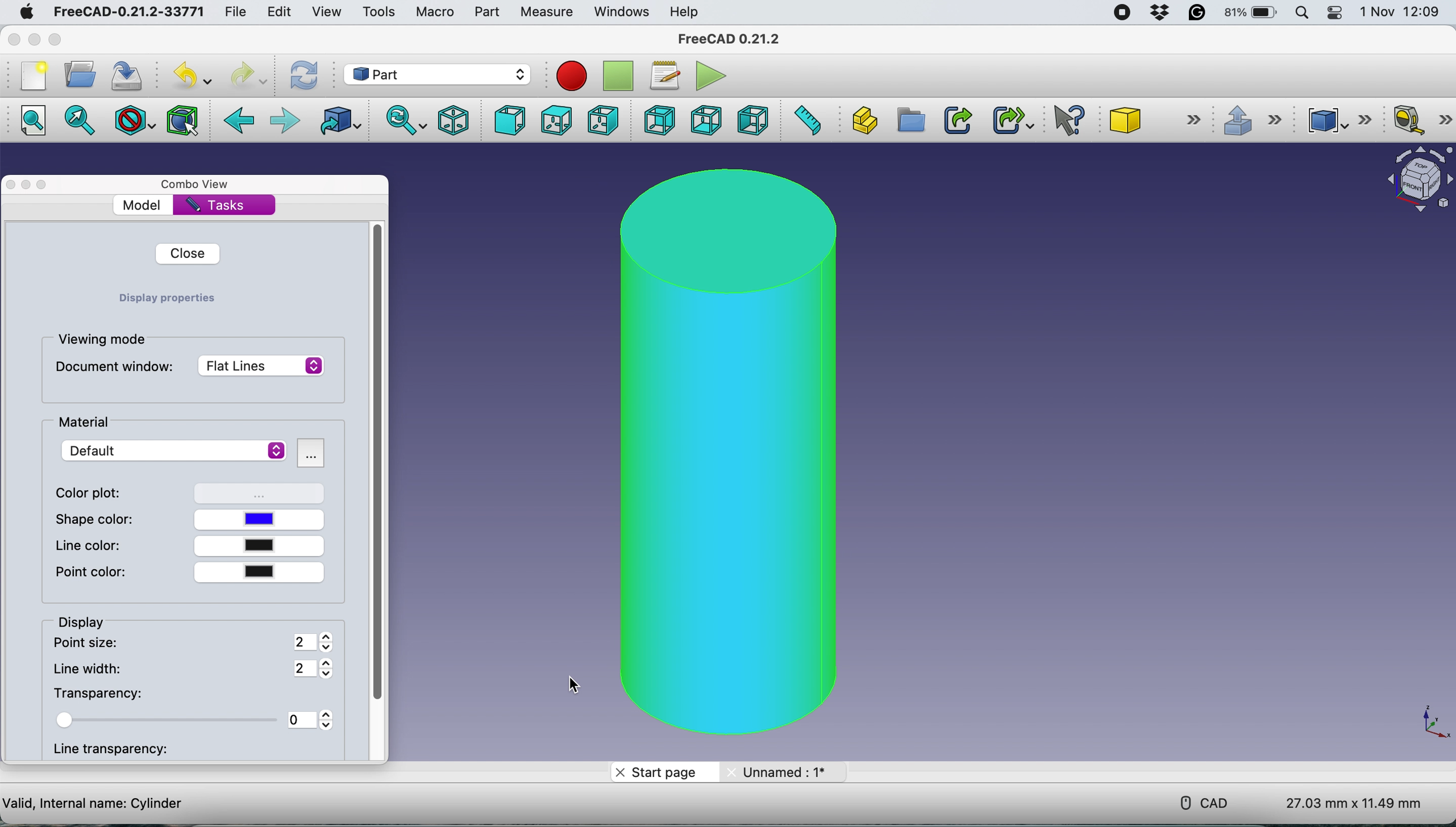 The image size is (1456, 827). What do you see at coordinates (176, 451) in the screenshot?
I see `default` at bounding box center [176, 451].